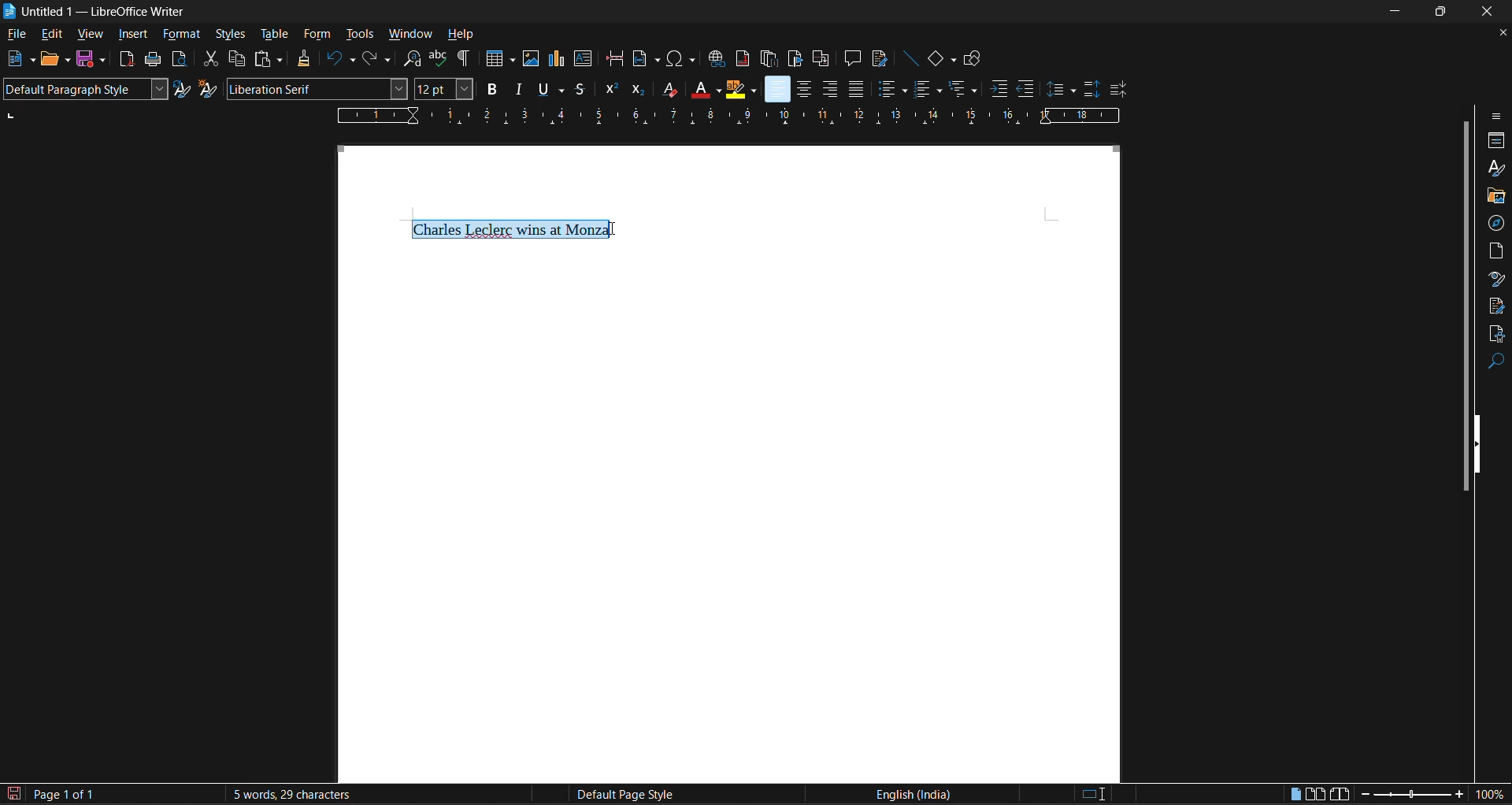 The width and height of the screenshot is (1512, 805). What do you see at coordinates (132, 35) in the screenshot?
I see `insert` at bounding box center [132, 35].